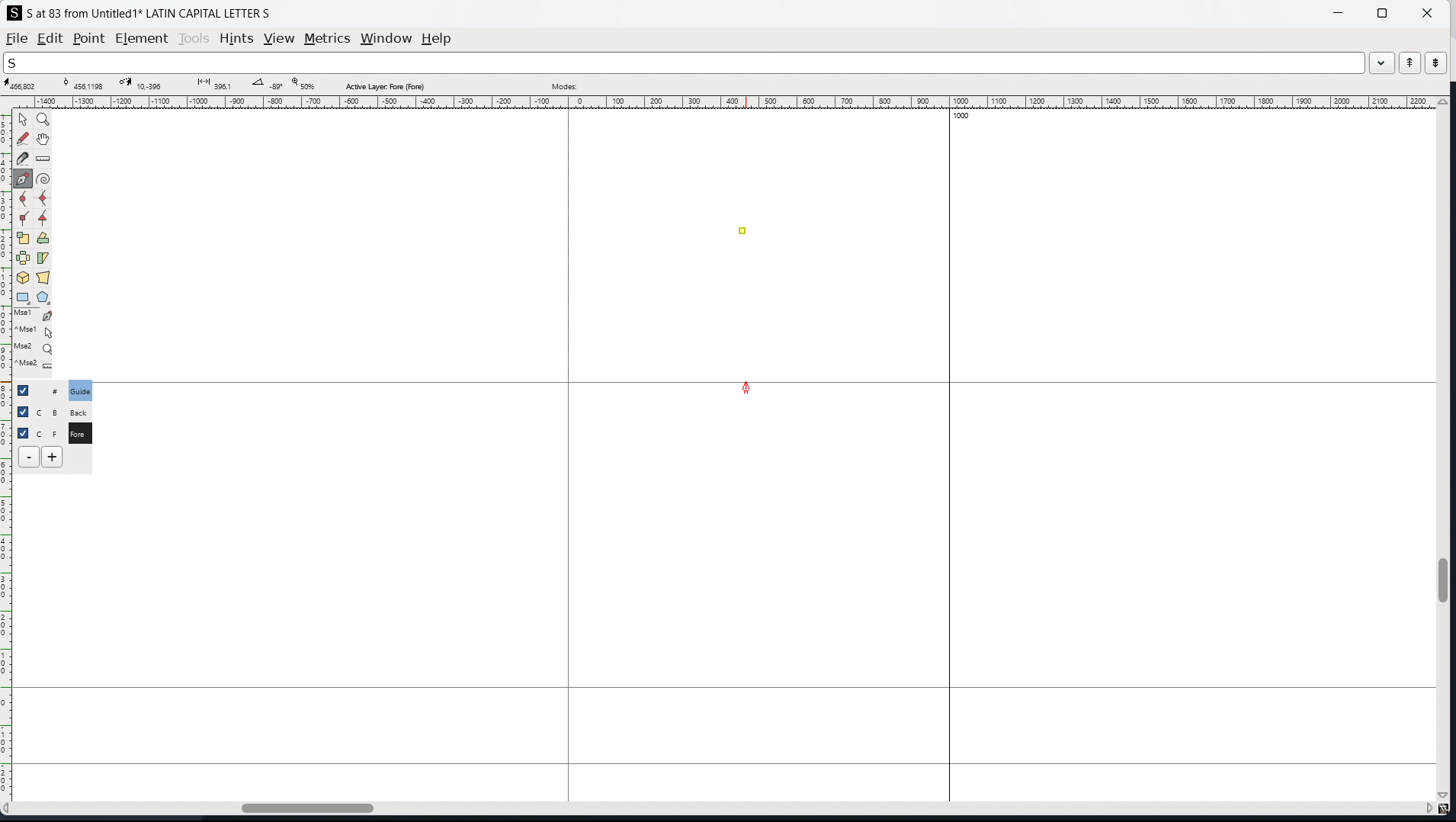 The width and height of the screenshot is (1456, 822). I want to click on rotate the selection in 3D and project back to plane , so click(23, 278).